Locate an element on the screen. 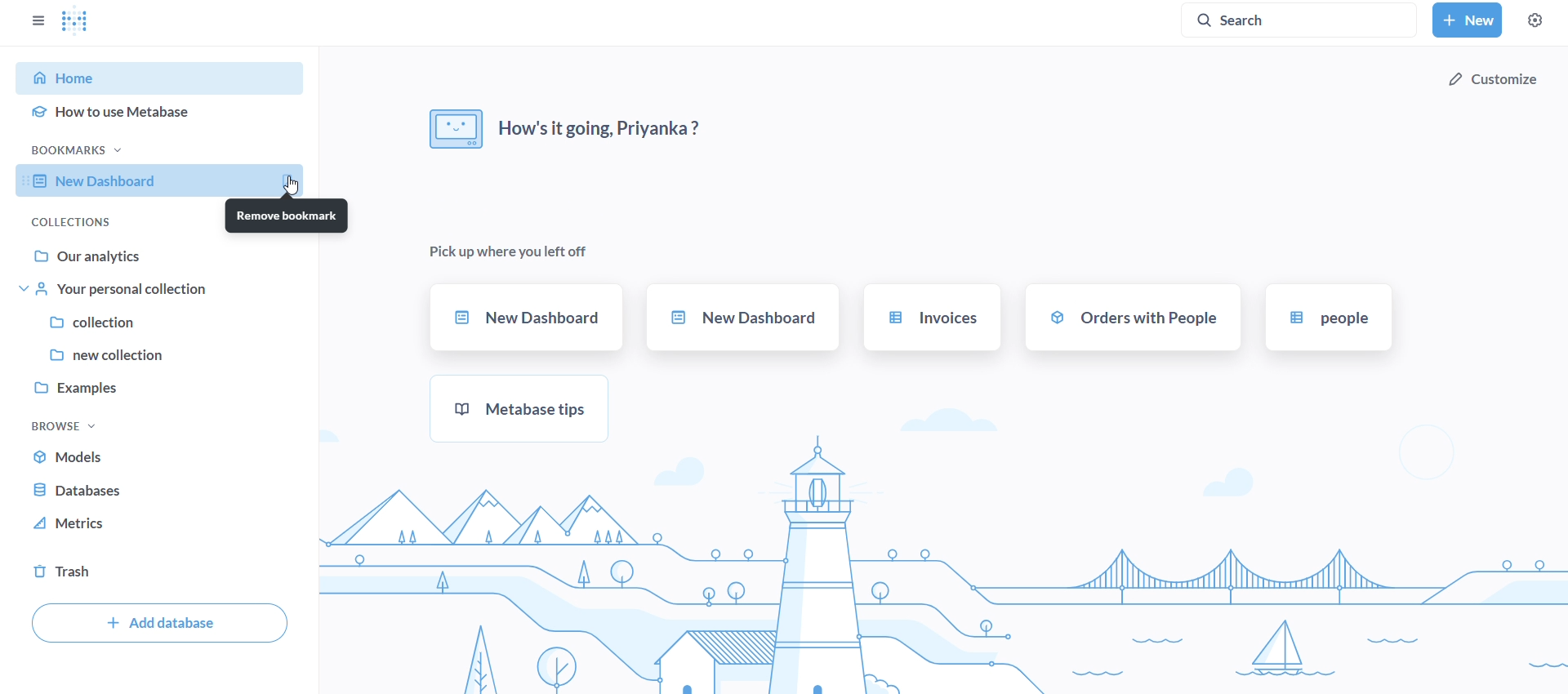  your personal collection is located at coordinates (165, 290).